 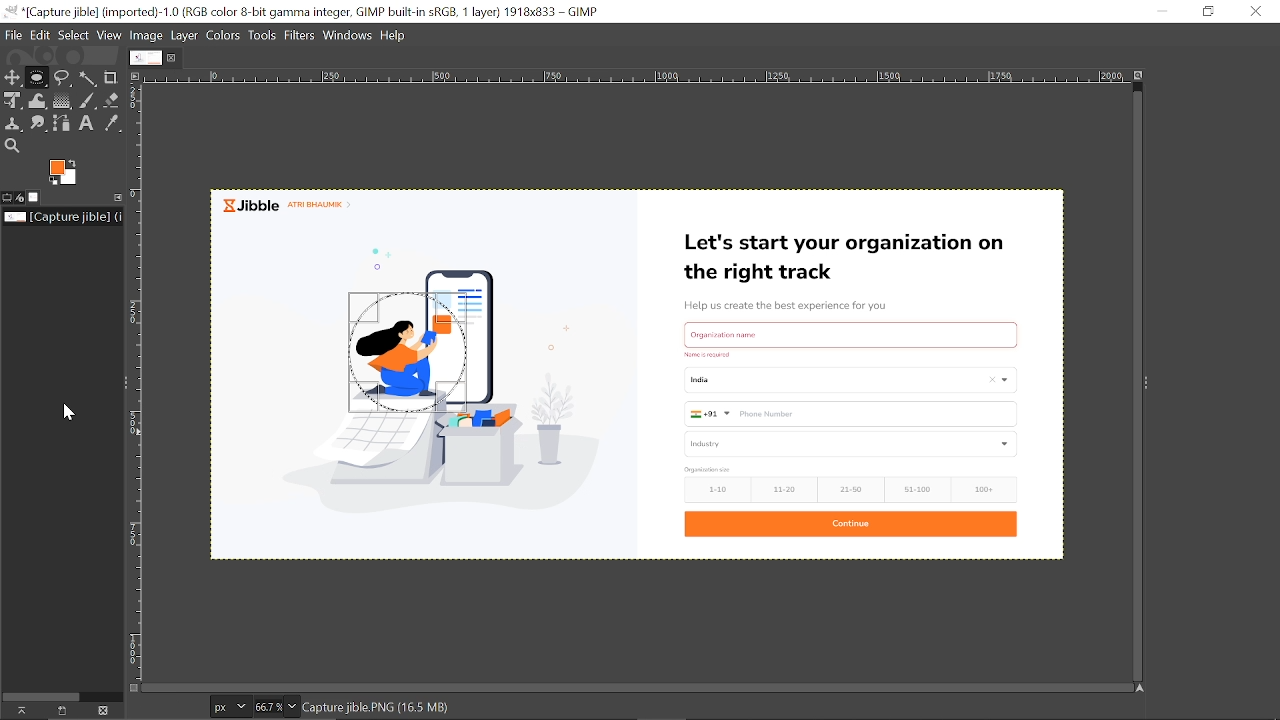 I want to click on The active background color, so click(x=69, y=173).